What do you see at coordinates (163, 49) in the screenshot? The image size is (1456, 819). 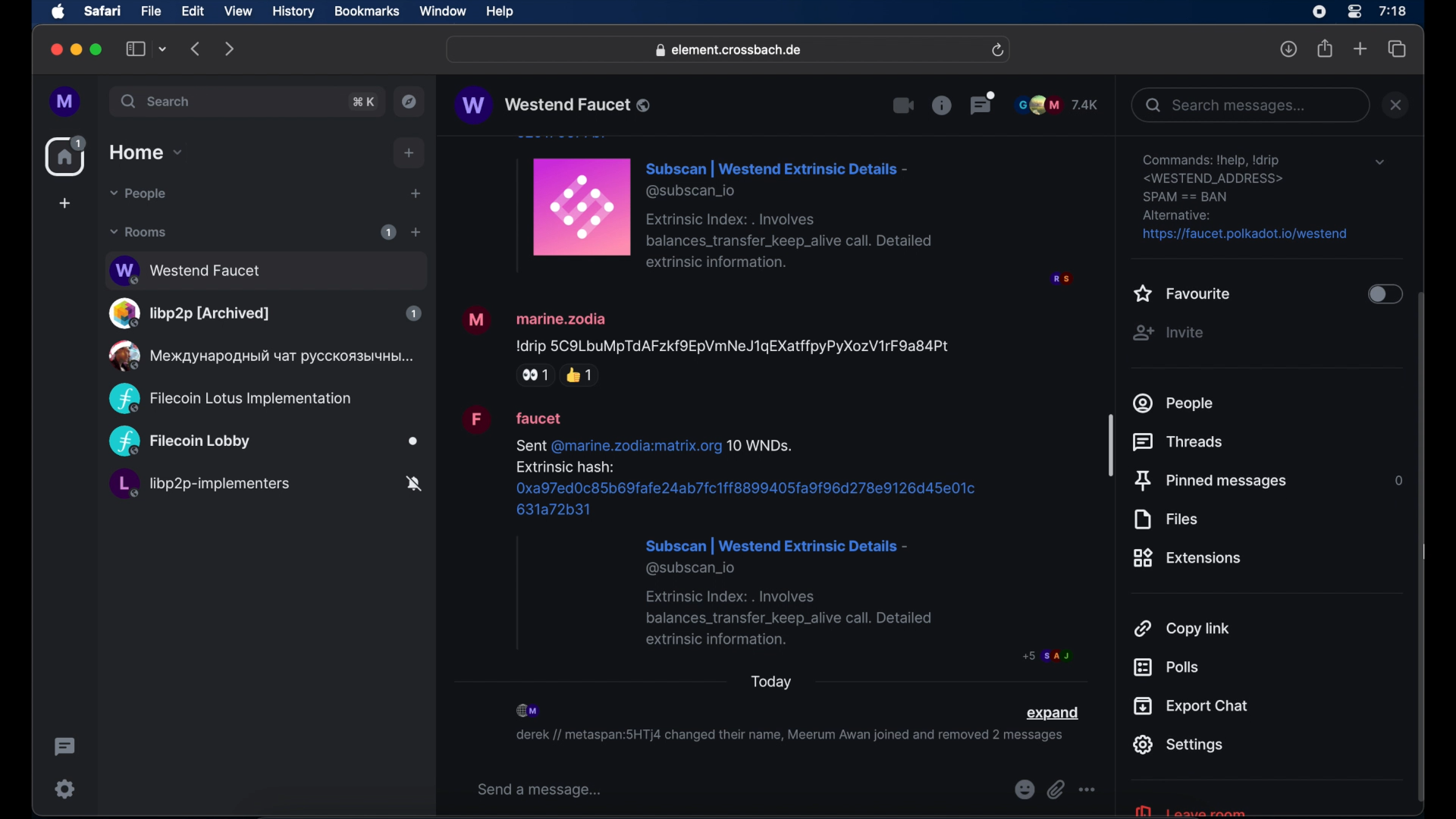 I see `tab group picker` at bounding box center [163, 49].